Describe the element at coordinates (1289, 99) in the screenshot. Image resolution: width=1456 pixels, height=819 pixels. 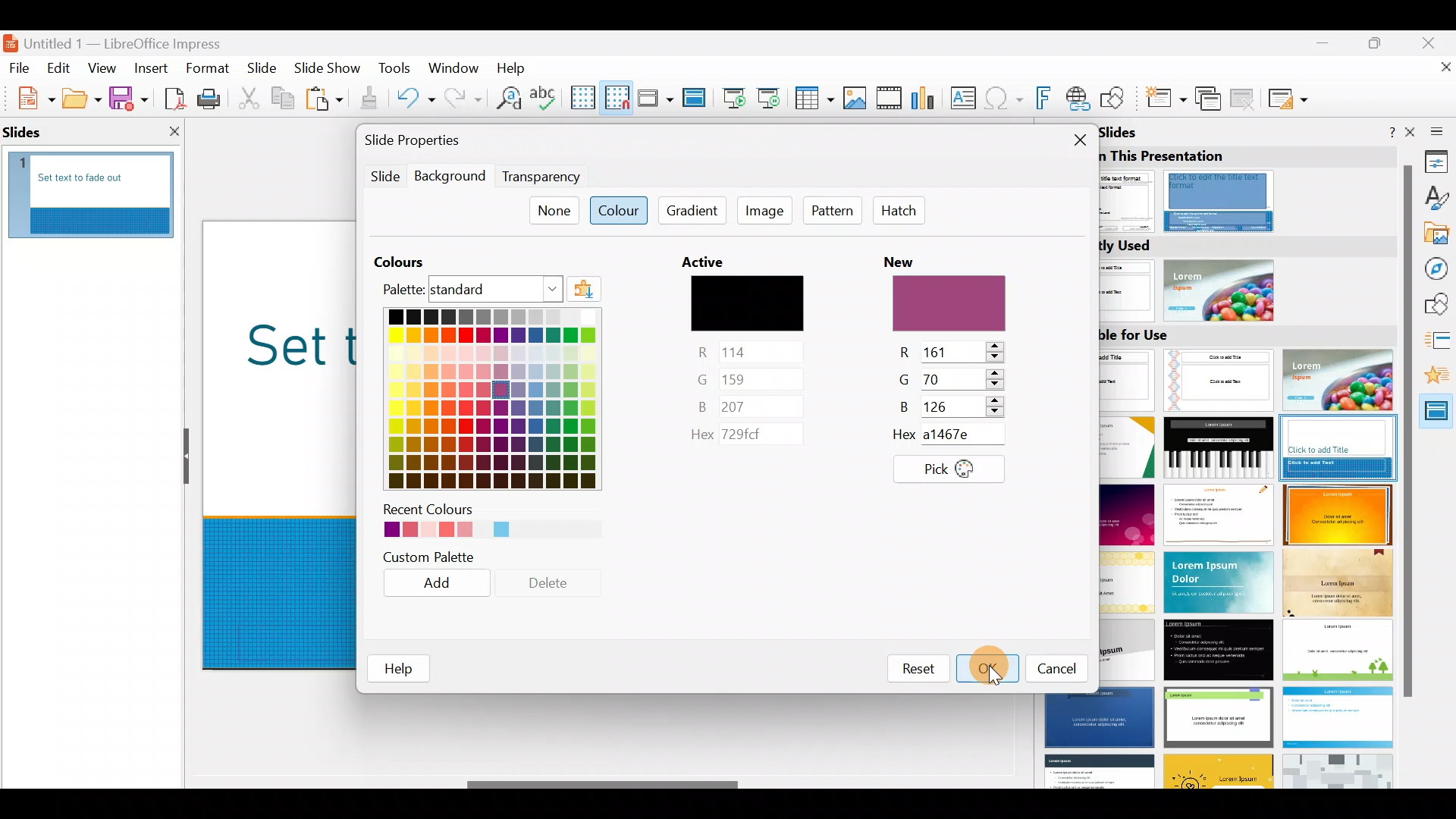
I see `Slide layout` at that location.